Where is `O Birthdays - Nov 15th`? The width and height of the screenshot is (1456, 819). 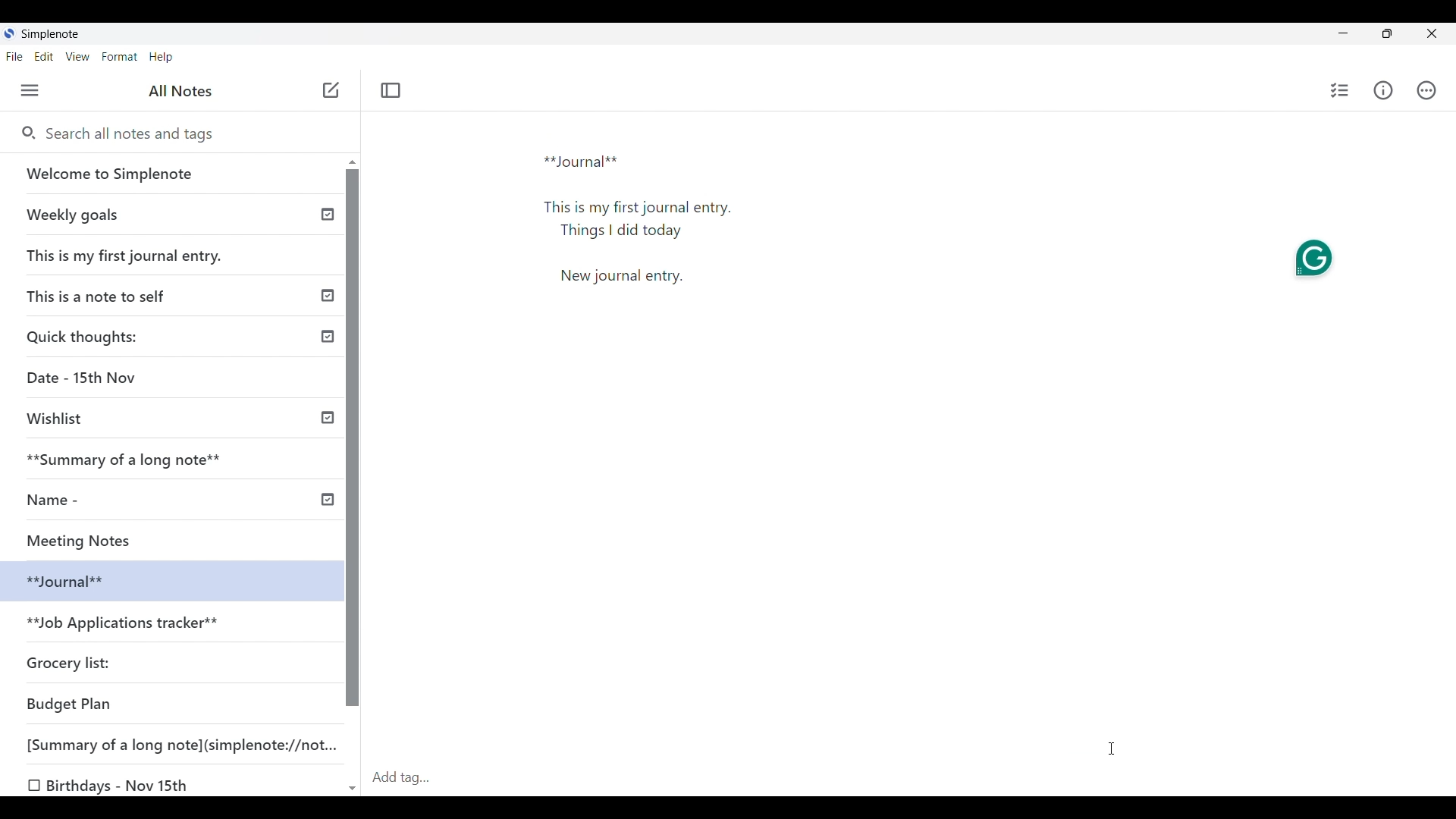 O Birthdays - Nov 15th is located at coordinates (111, 786).